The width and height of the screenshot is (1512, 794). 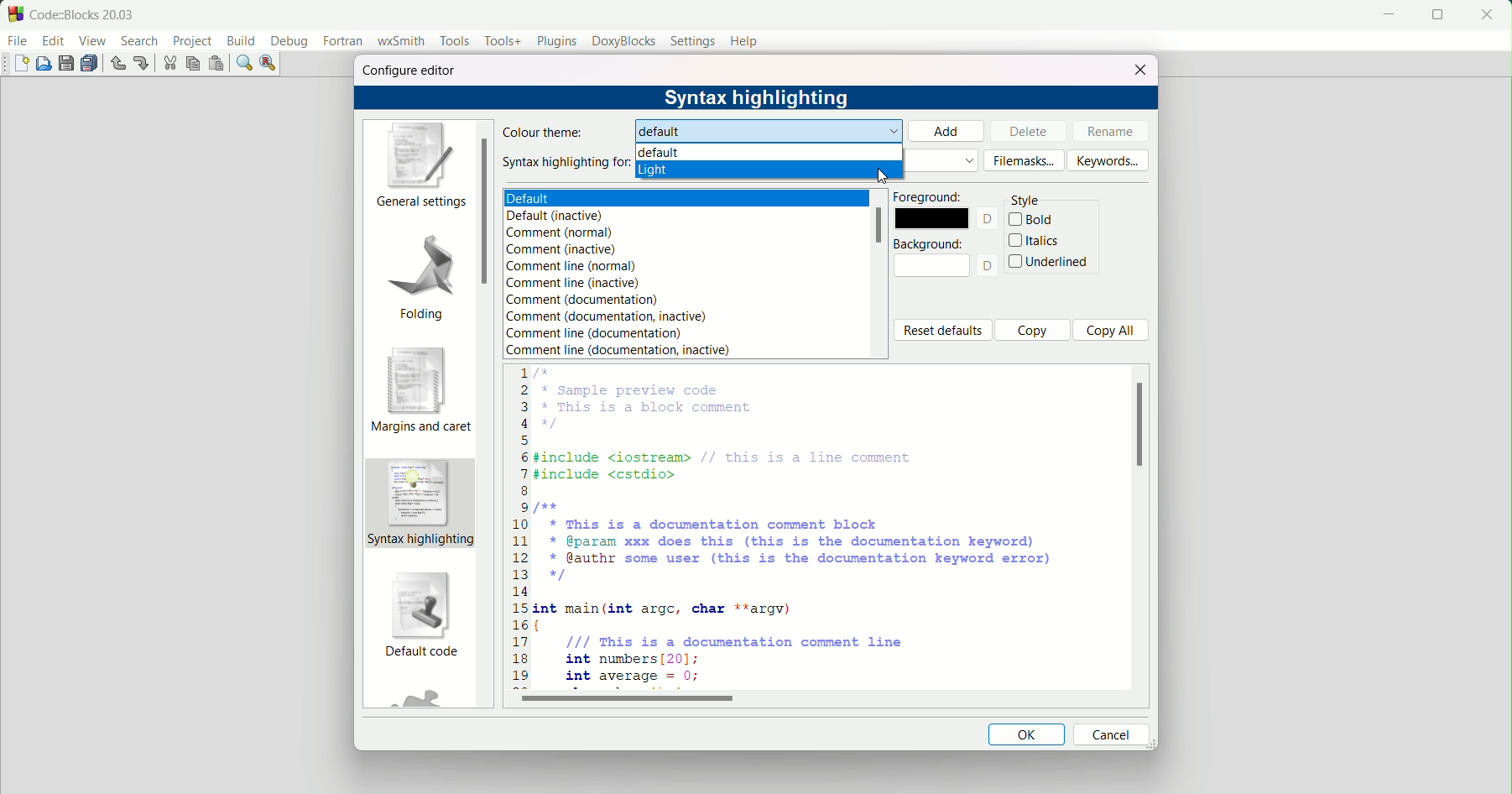 I want to click on bold, so click(x=1035, y=220).